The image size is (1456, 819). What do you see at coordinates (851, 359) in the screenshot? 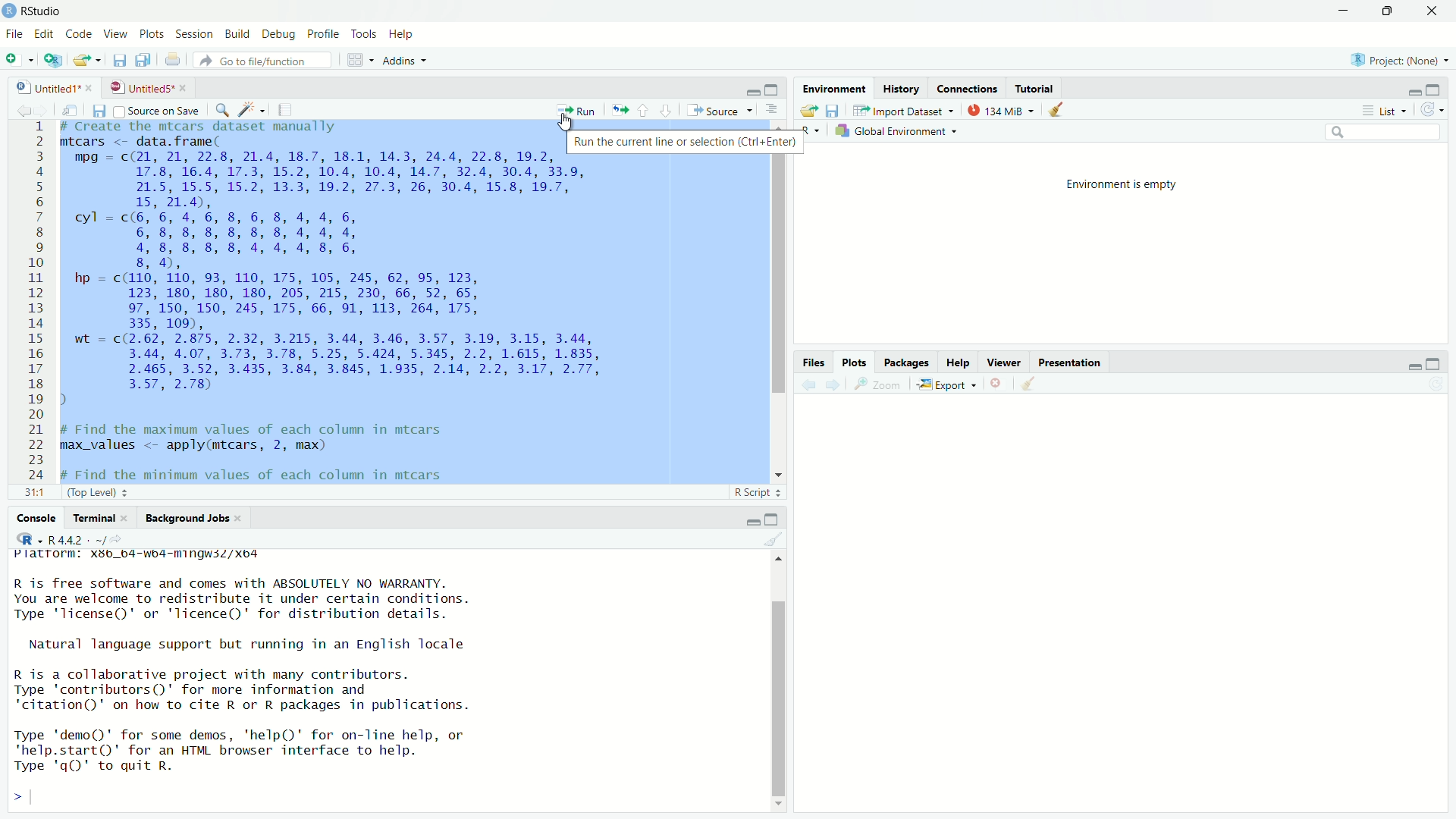
I see `Plots` at bounding box center [851, 359].